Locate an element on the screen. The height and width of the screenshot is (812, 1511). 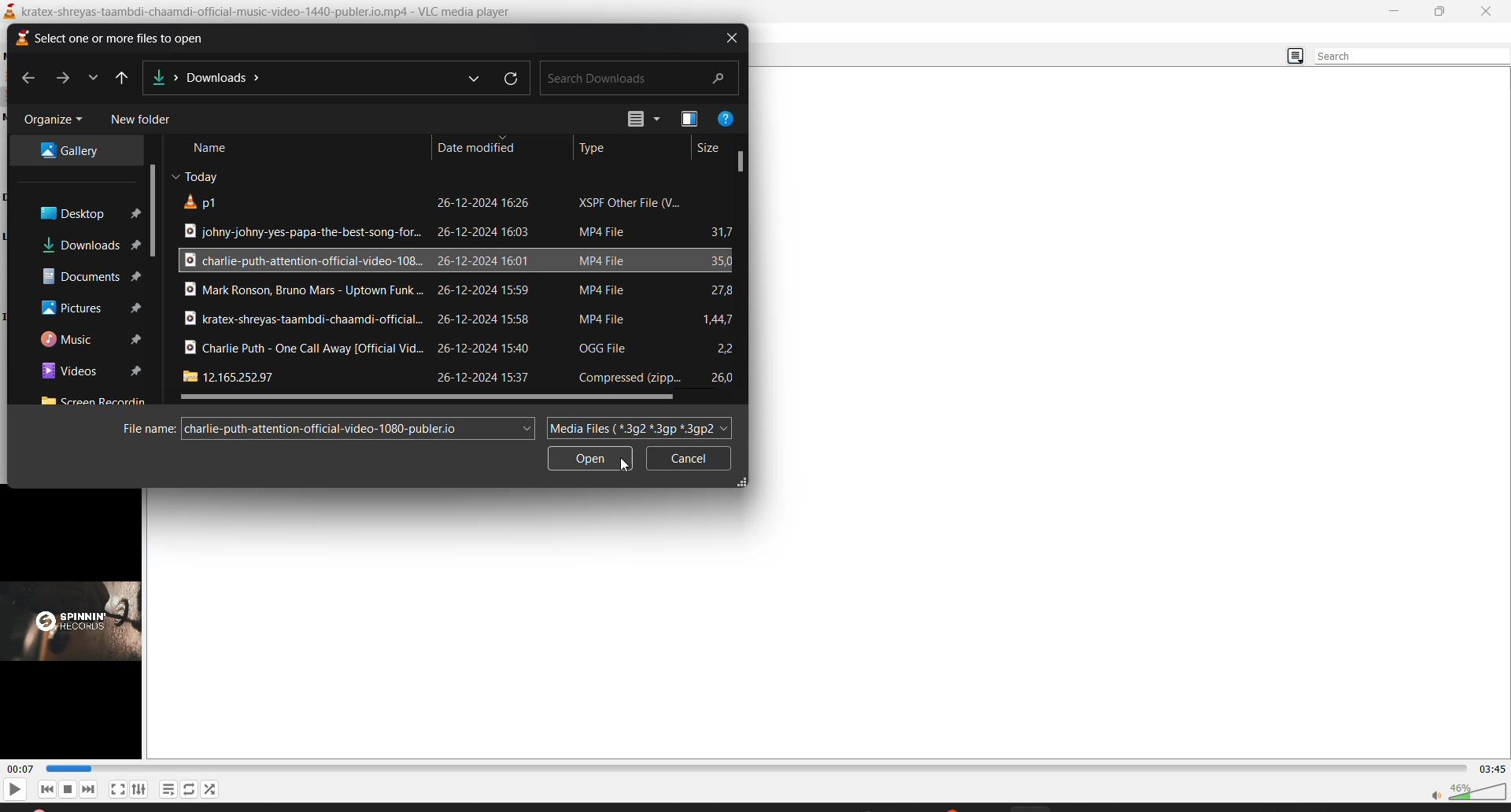
previous is located at coordinates (26, 77).